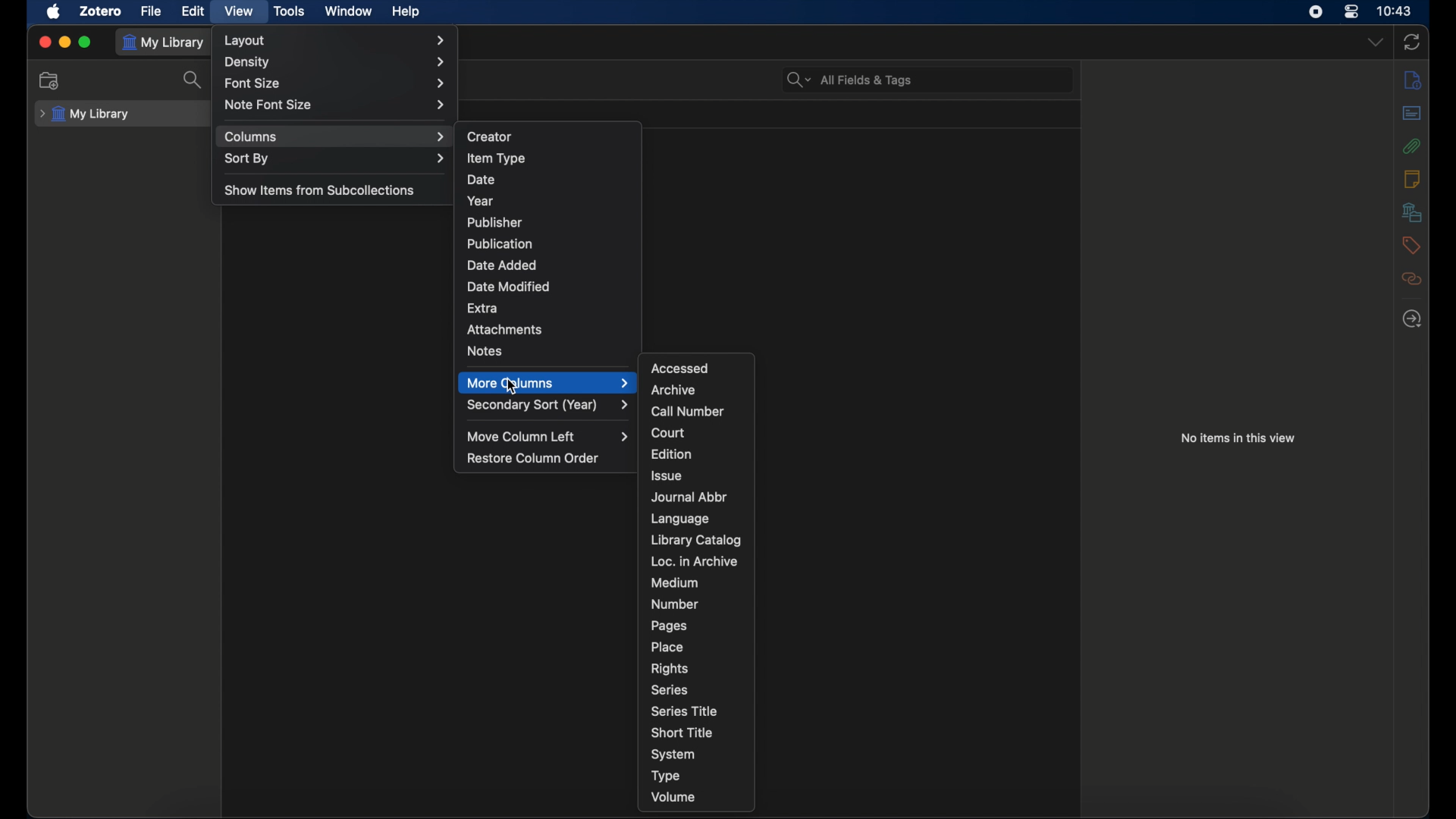  What do you see at coordinates (535, 459) in the screenshot?
I see `restore column order` at bounding box center [535, 459].